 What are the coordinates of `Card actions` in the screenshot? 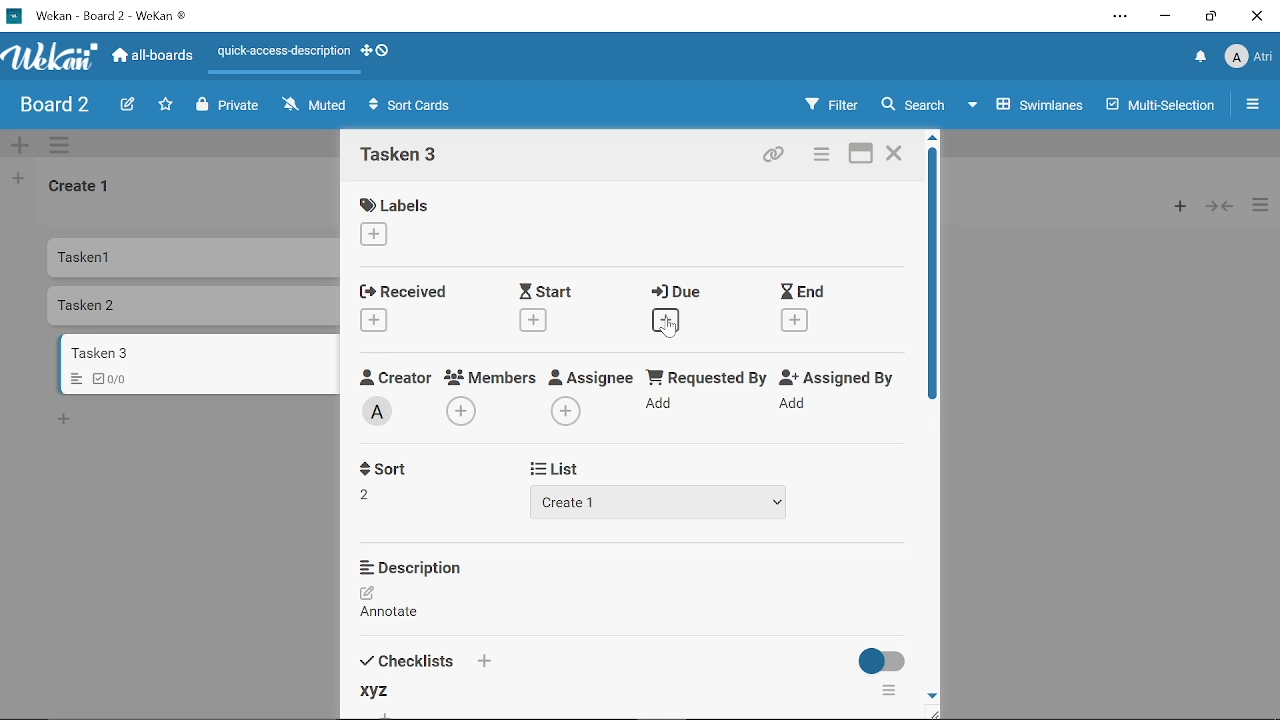 It's located at (824, 157).